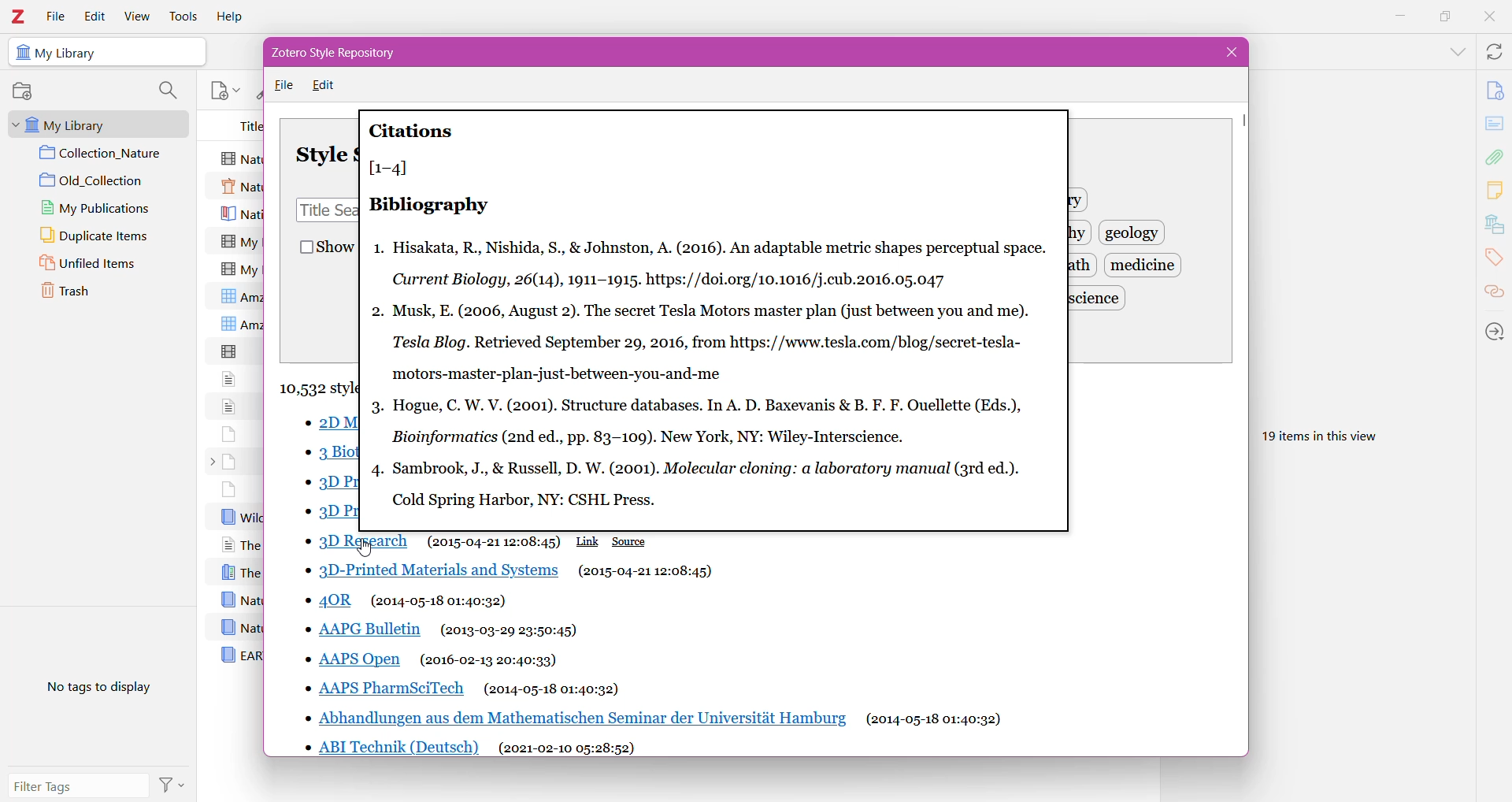  Describe the element at coordinates (99, 265) in the screenshot. I see `Unfiled Items` at that location.